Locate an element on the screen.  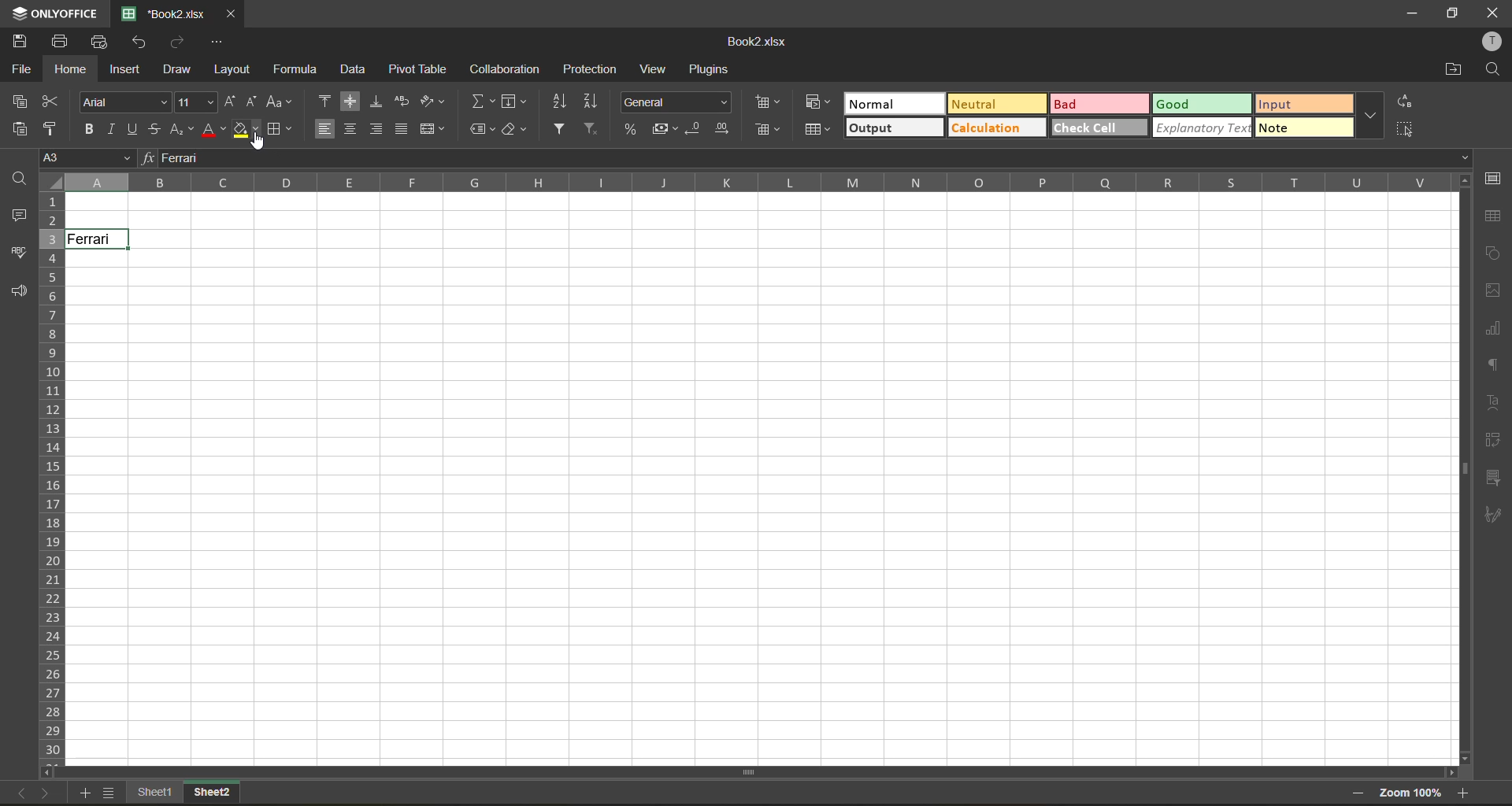
accounting is located at coordinates (664, 126).